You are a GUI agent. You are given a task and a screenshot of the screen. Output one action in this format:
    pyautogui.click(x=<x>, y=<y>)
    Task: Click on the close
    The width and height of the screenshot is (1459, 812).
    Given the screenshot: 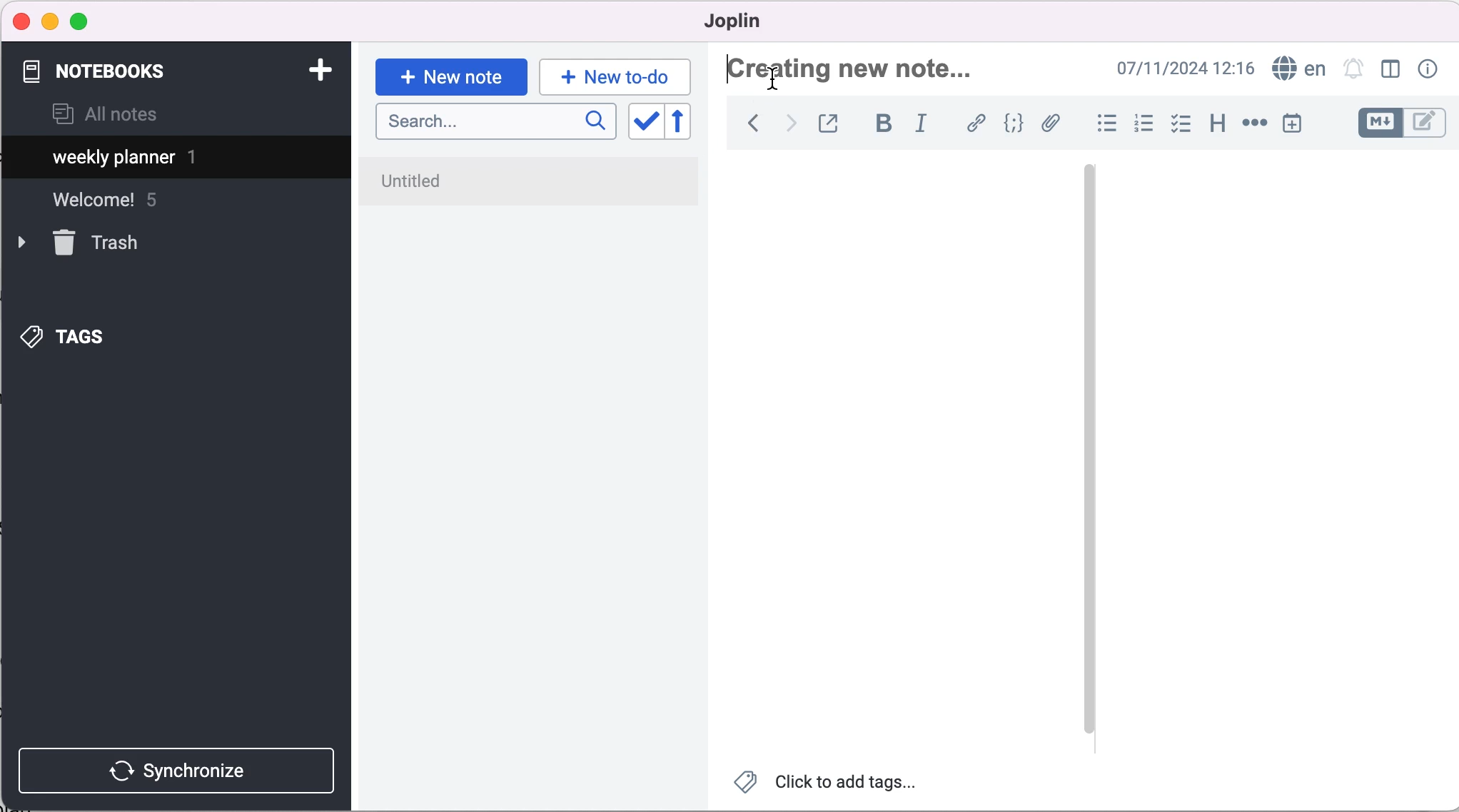 What is the action you would take?
    pyautogui.click(x=22, y=21)
    